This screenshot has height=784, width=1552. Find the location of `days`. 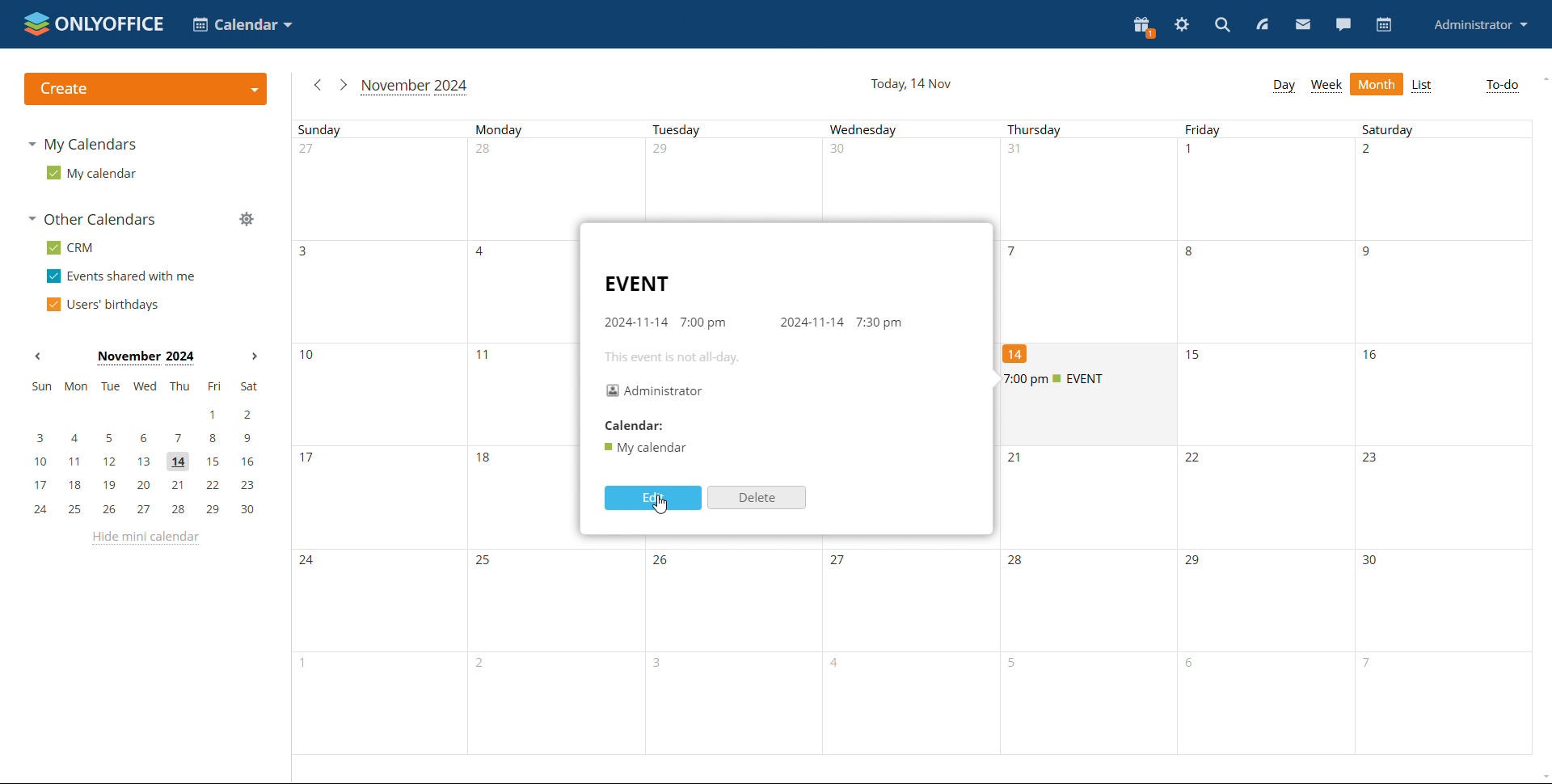

days is located at coordinates (912, 130).